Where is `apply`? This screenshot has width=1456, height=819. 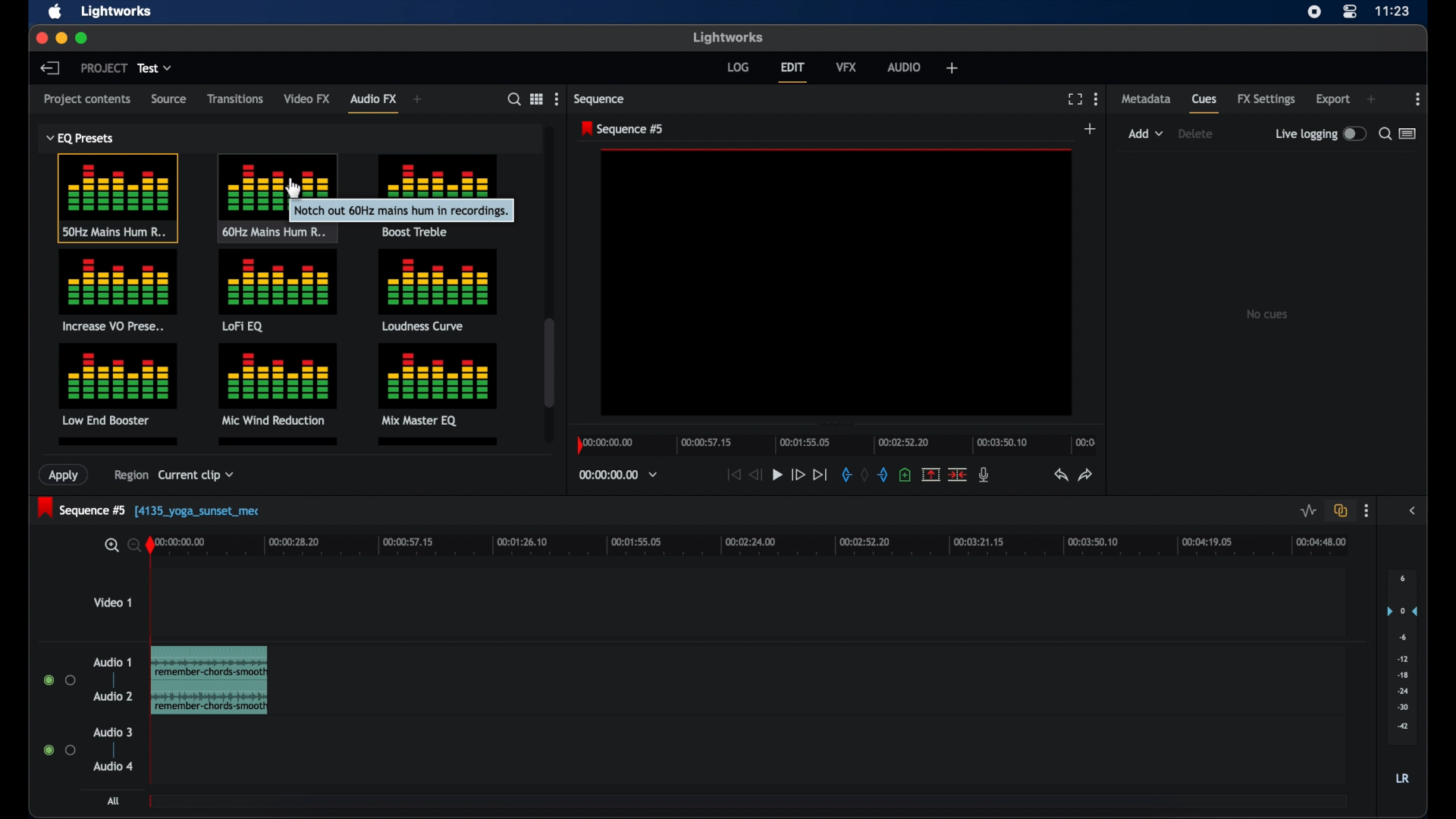 apply is located at coordinates (66, 475).